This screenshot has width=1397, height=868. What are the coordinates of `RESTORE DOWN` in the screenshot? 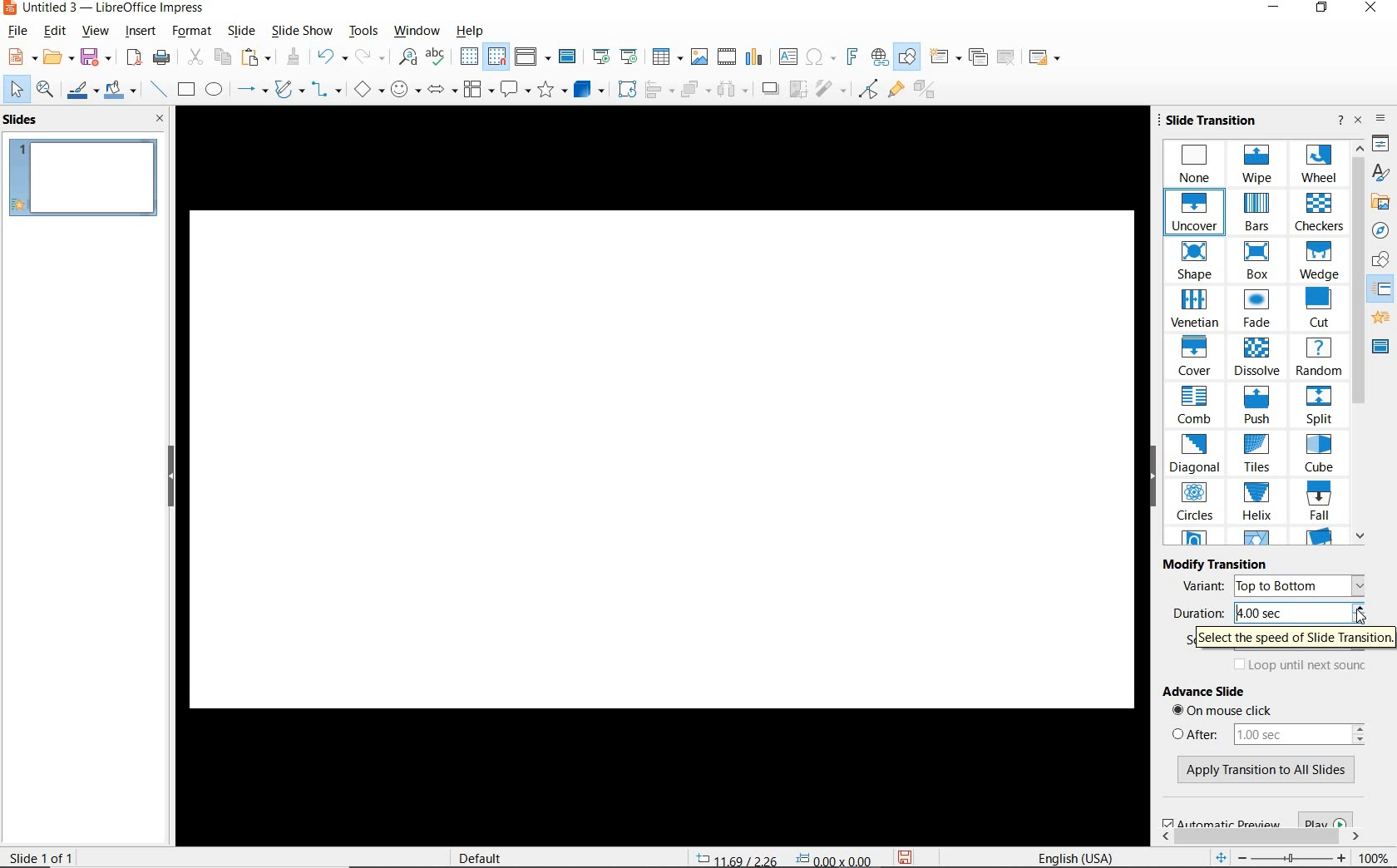 It's located at (1325, 9).